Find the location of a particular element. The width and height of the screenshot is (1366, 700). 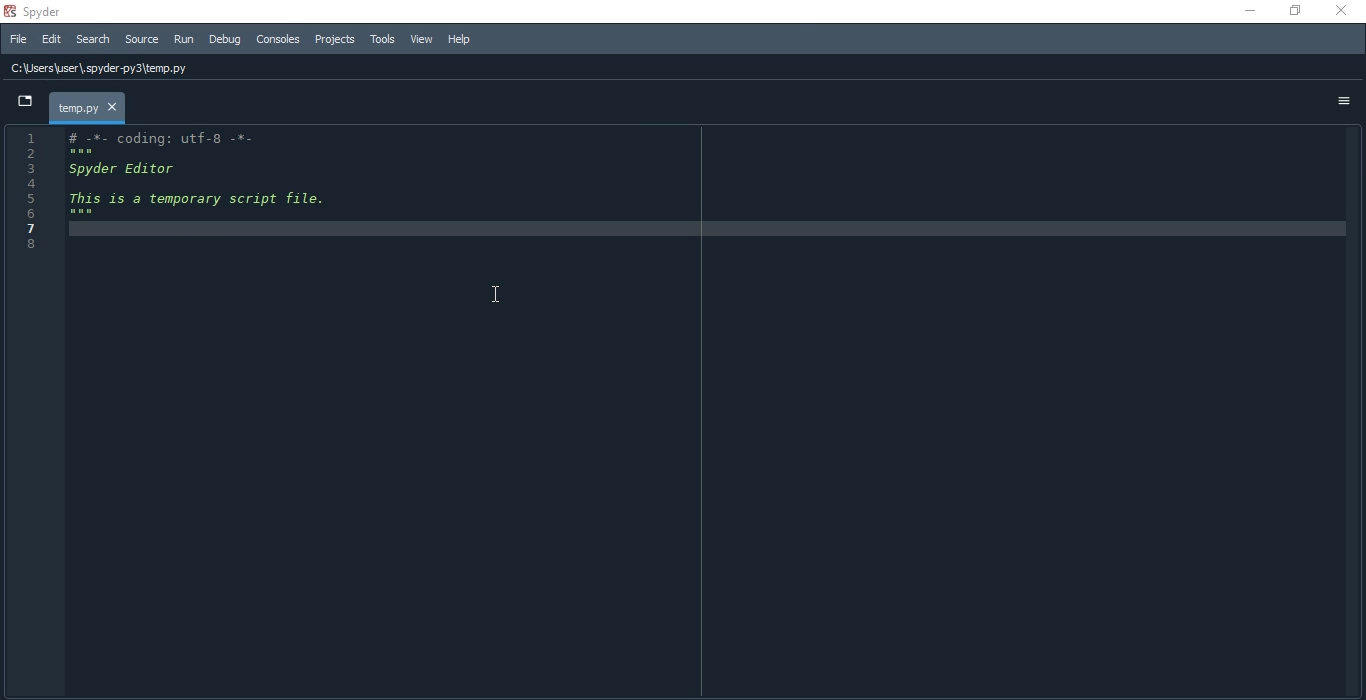

View is located at coordinates (422, 40).